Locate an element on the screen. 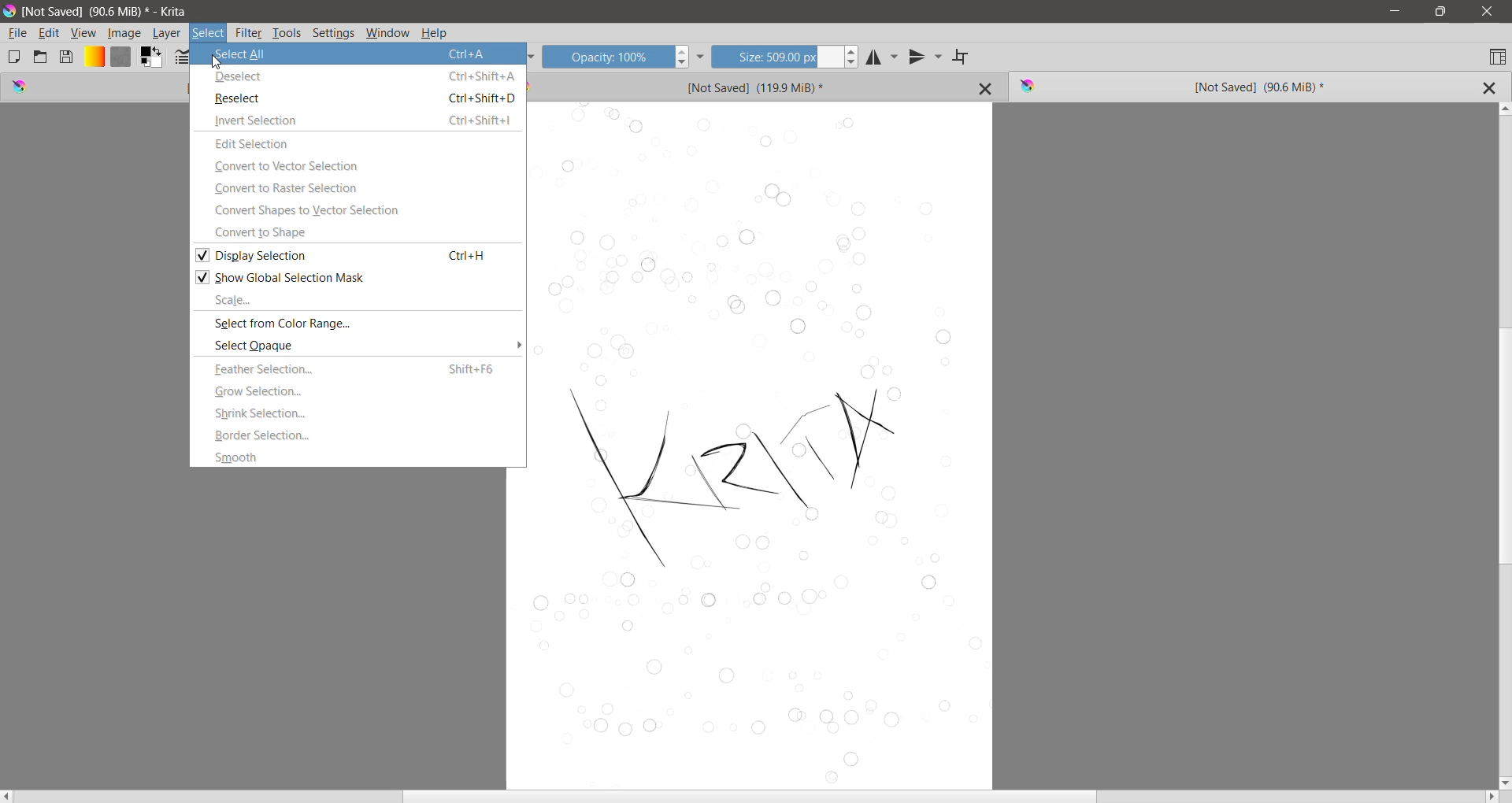 The width and height of the screenshot is (1512, 803). Vertical Scroll Bar is located at coordinates (1503, 445).